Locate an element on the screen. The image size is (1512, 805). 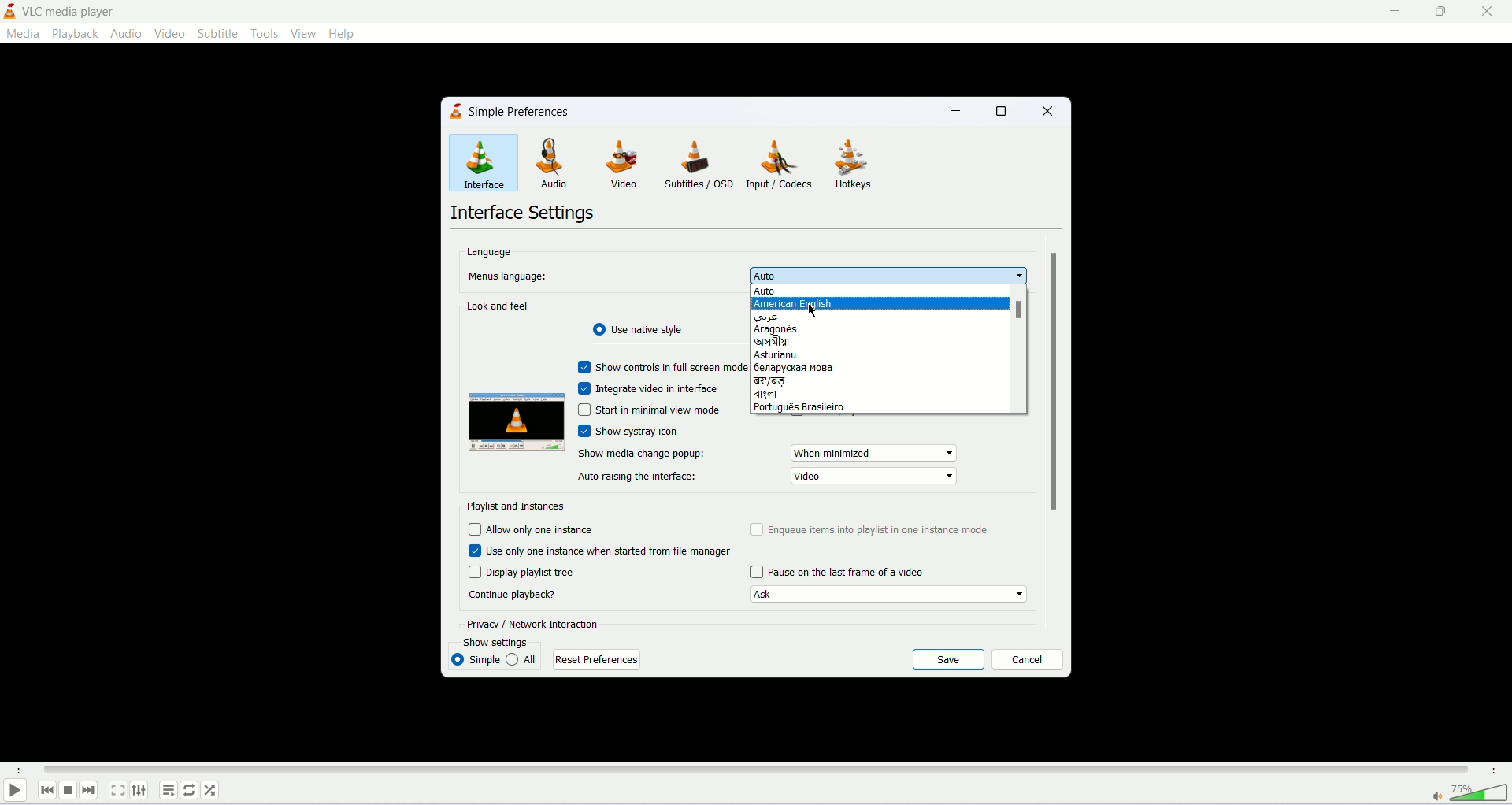
stop is located at coordinates (68, 791).